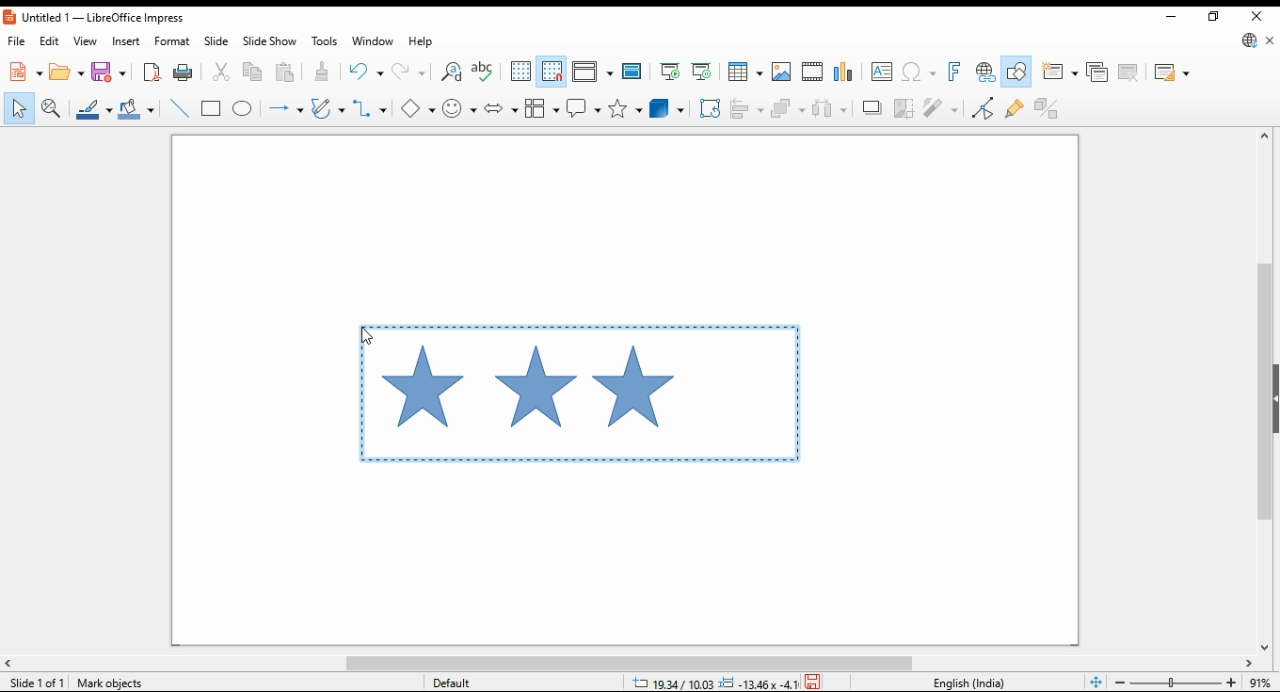 Image resolution: width=1280 pixels, height=692 pixels. What do you see at coordinates (919, 72) in the screenshot?
I see `insert special characters` at bounding box center [919, 72].